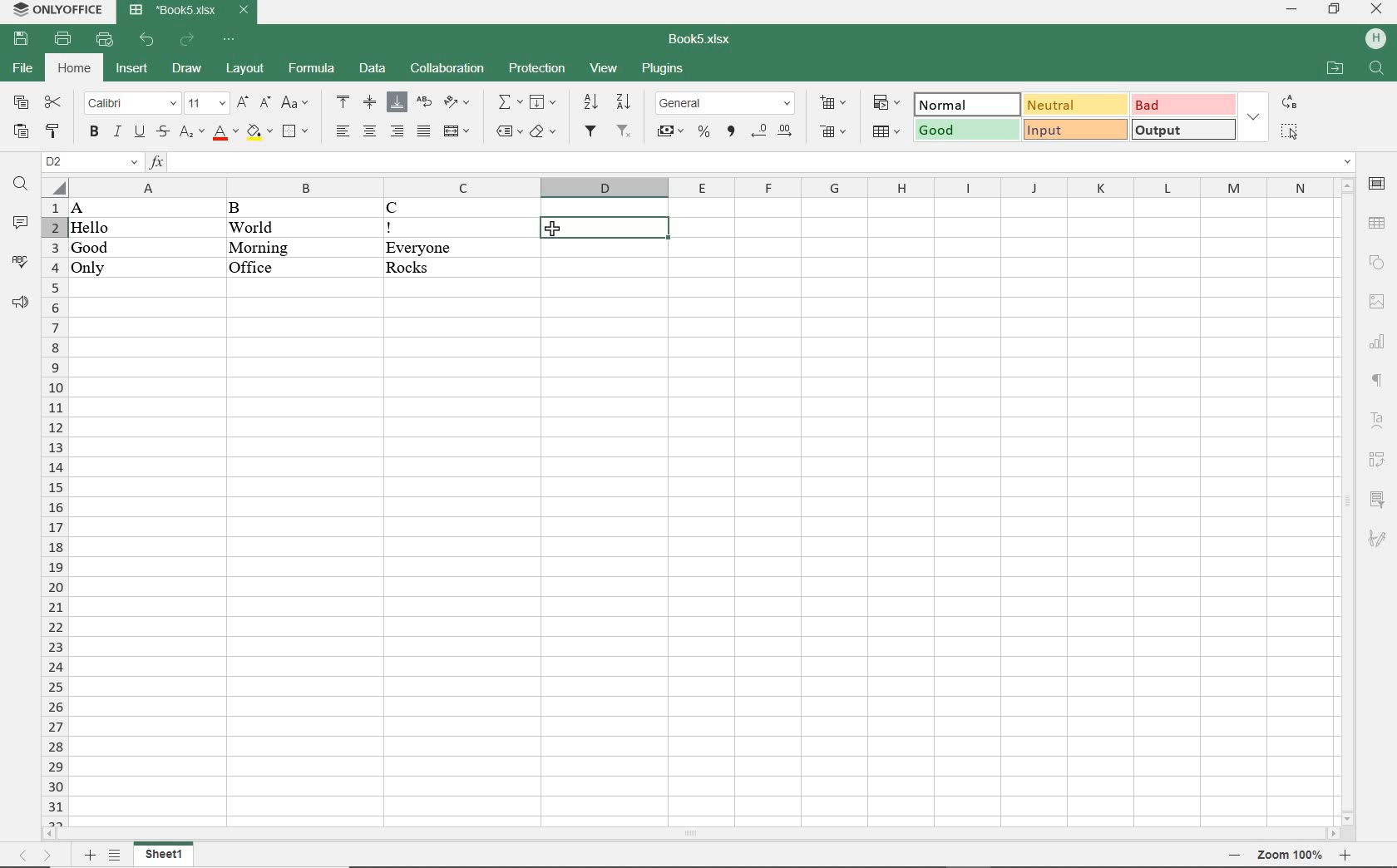 The image size is (1397, 868). Describe the element at coordinates (663, 70) in the screenshot. I see `plugins` at that location.